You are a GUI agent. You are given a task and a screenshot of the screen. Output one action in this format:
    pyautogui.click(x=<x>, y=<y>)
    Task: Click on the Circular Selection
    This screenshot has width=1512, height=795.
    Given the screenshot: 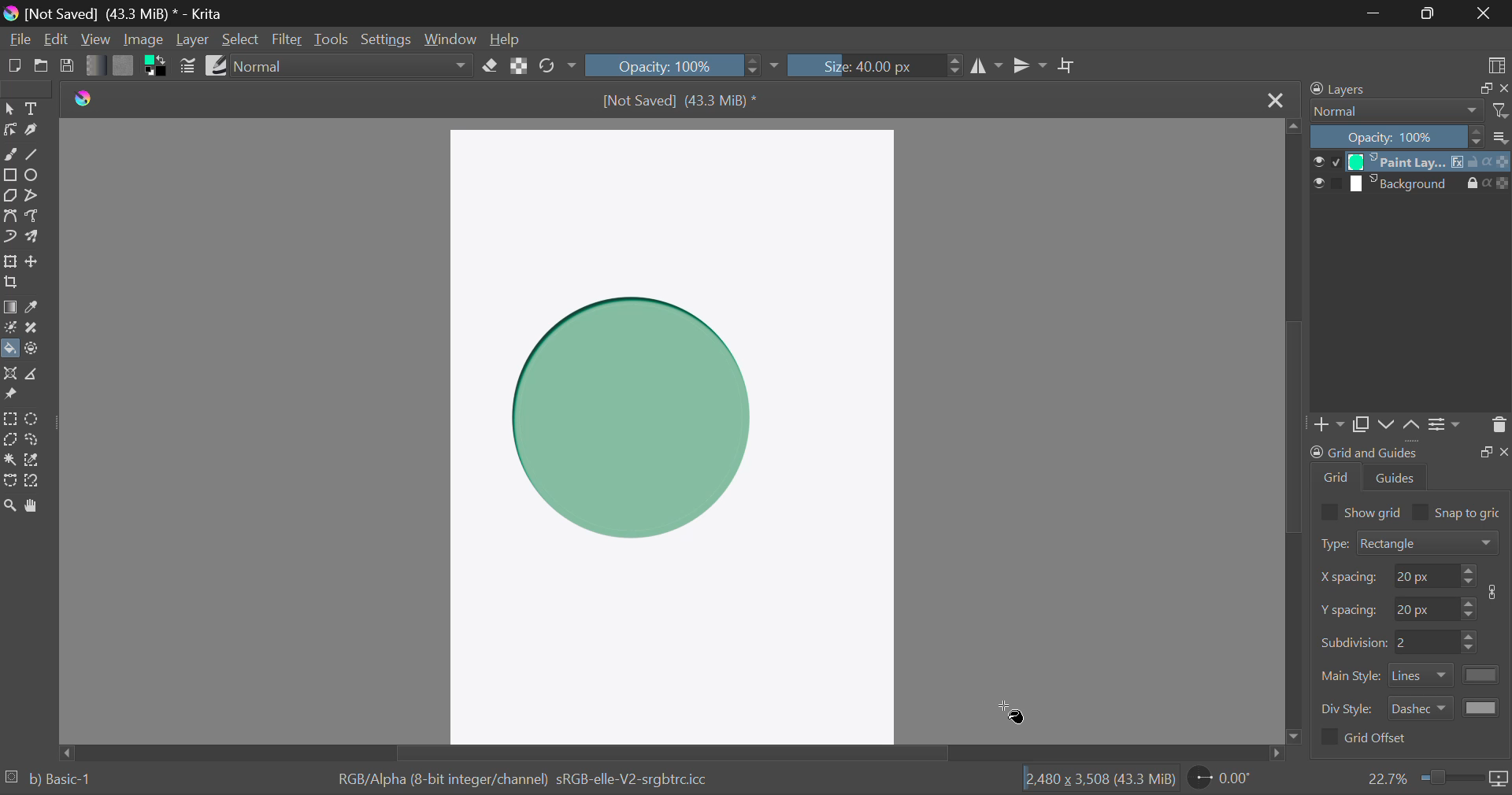 What is the action you would take?
    pyautogui.click(x=33, y=418)
    